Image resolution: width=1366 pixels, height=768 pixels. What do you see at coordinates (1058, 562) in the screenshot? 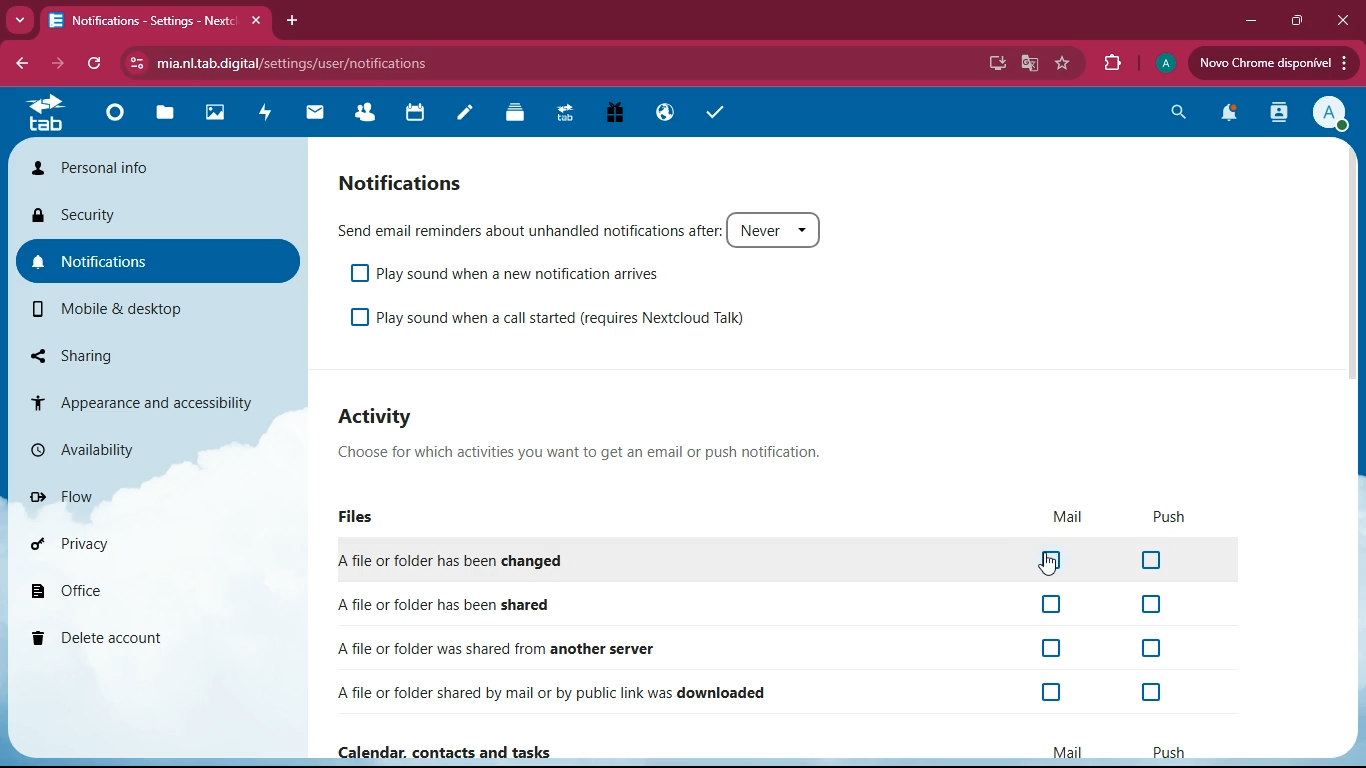
I see `off` at bounding box center [1058, 562].